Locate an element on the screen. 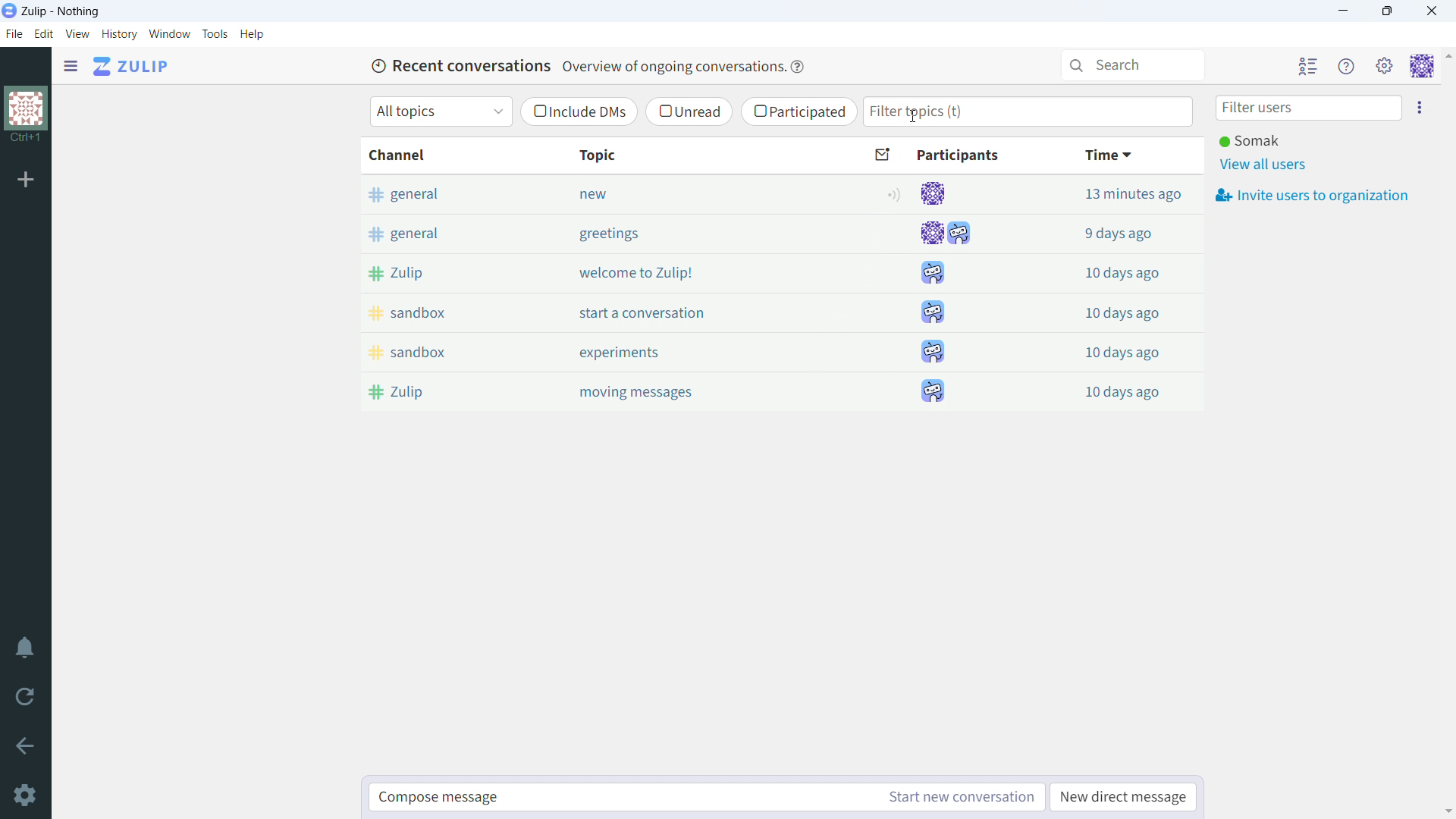 The height and width of the screenshot is (819, 1456). participants is located at coordinates (946, 293).